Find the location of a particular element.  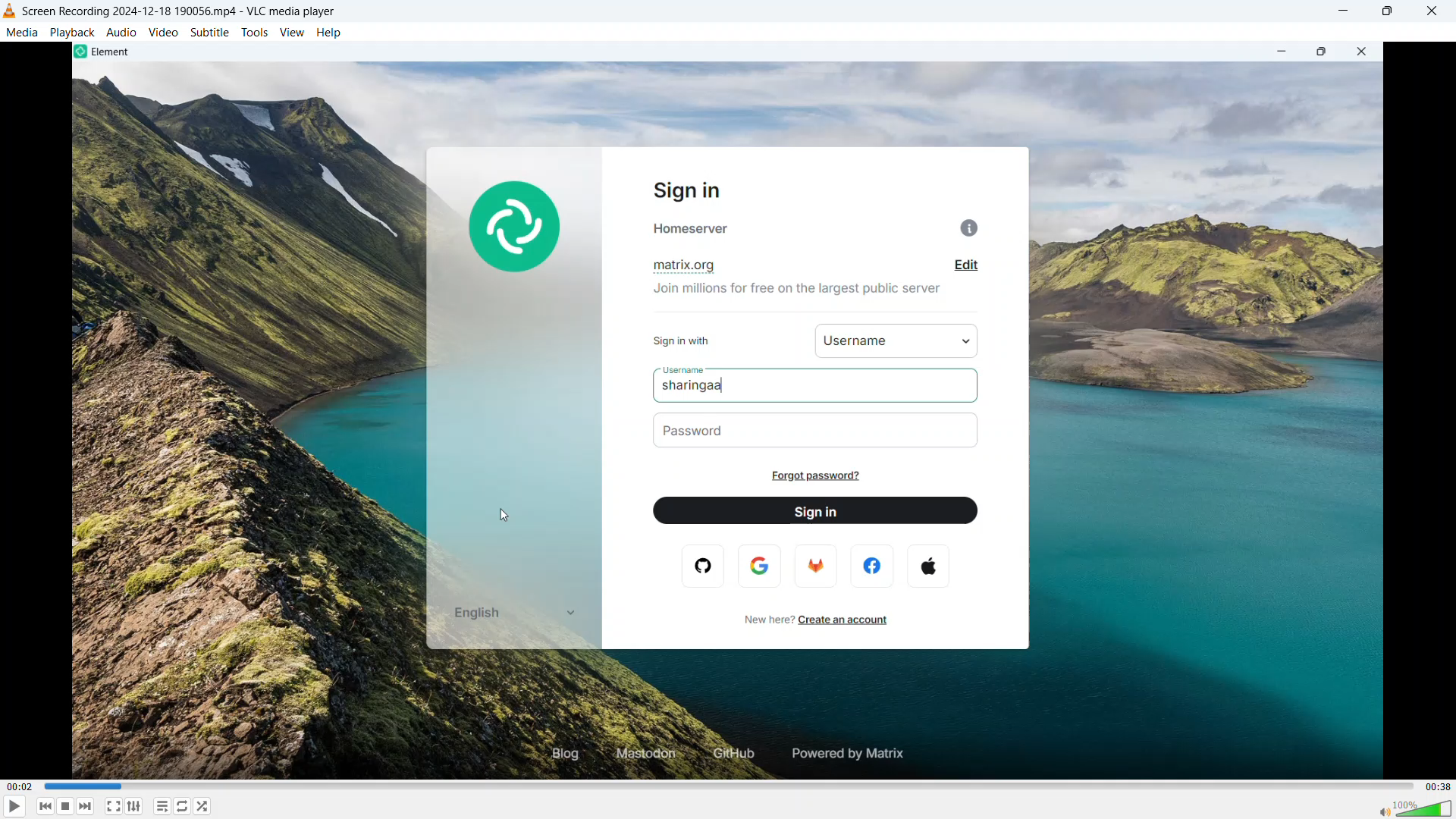

Video  is located at coordinates (163, 33).